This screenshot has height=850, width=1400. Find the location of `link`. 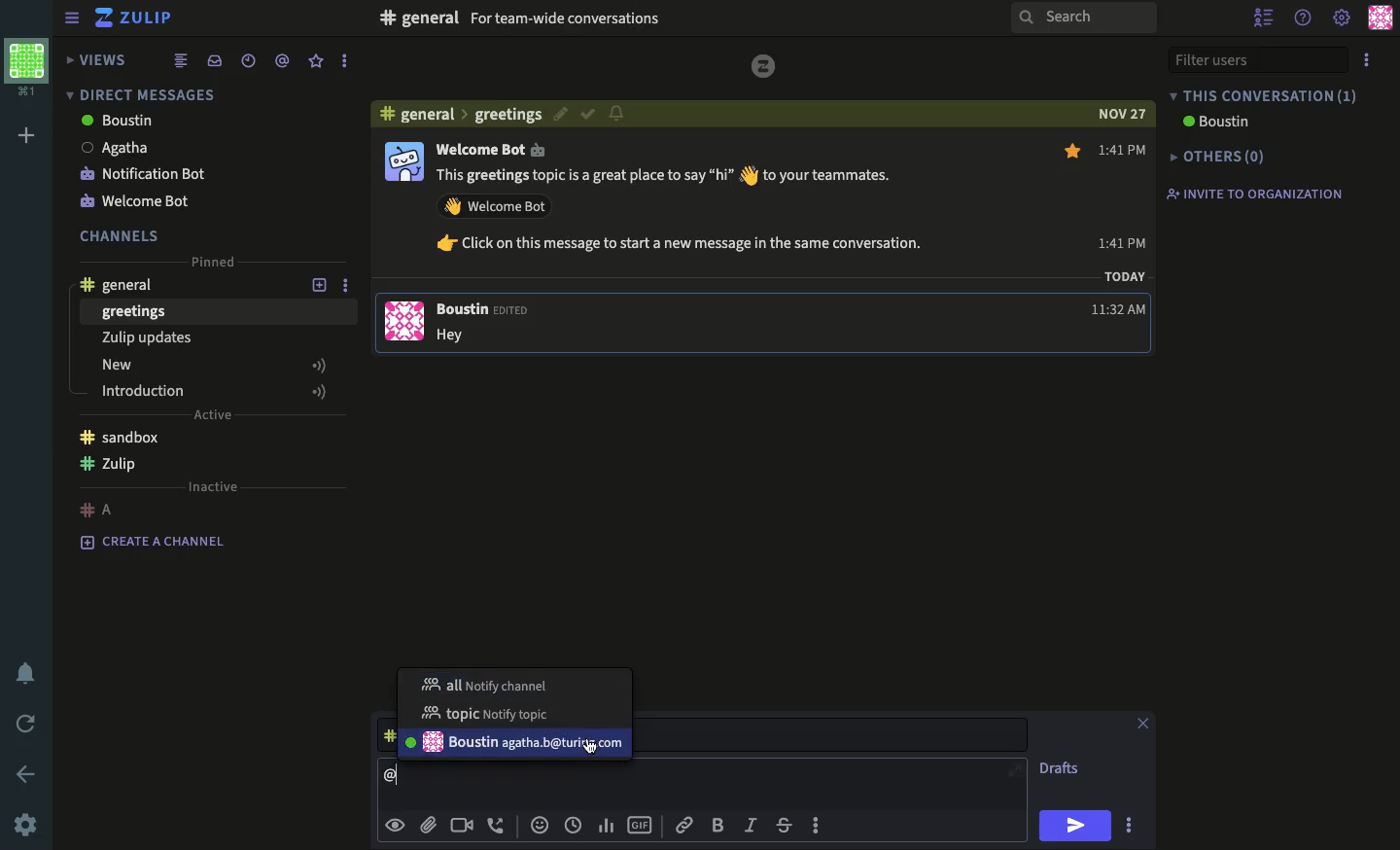

link is located at coordinates (682, 825).